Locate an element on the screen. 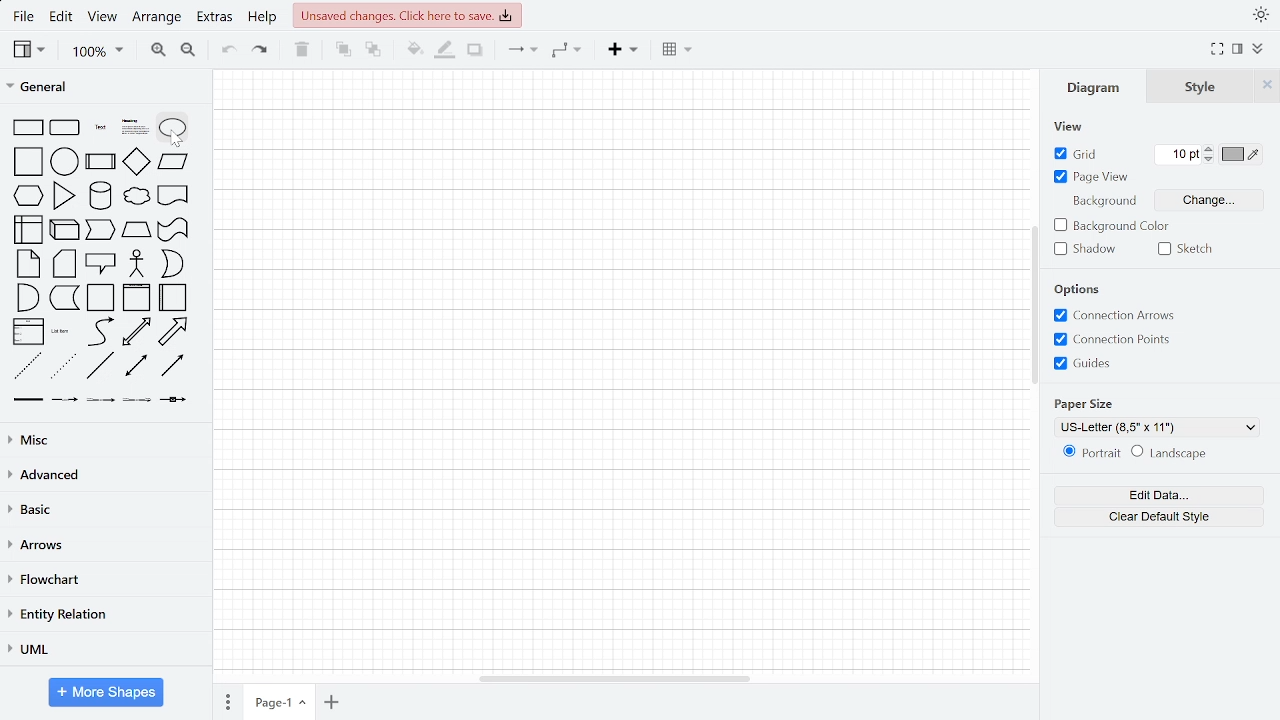  note is located at coordinates (27, 263).